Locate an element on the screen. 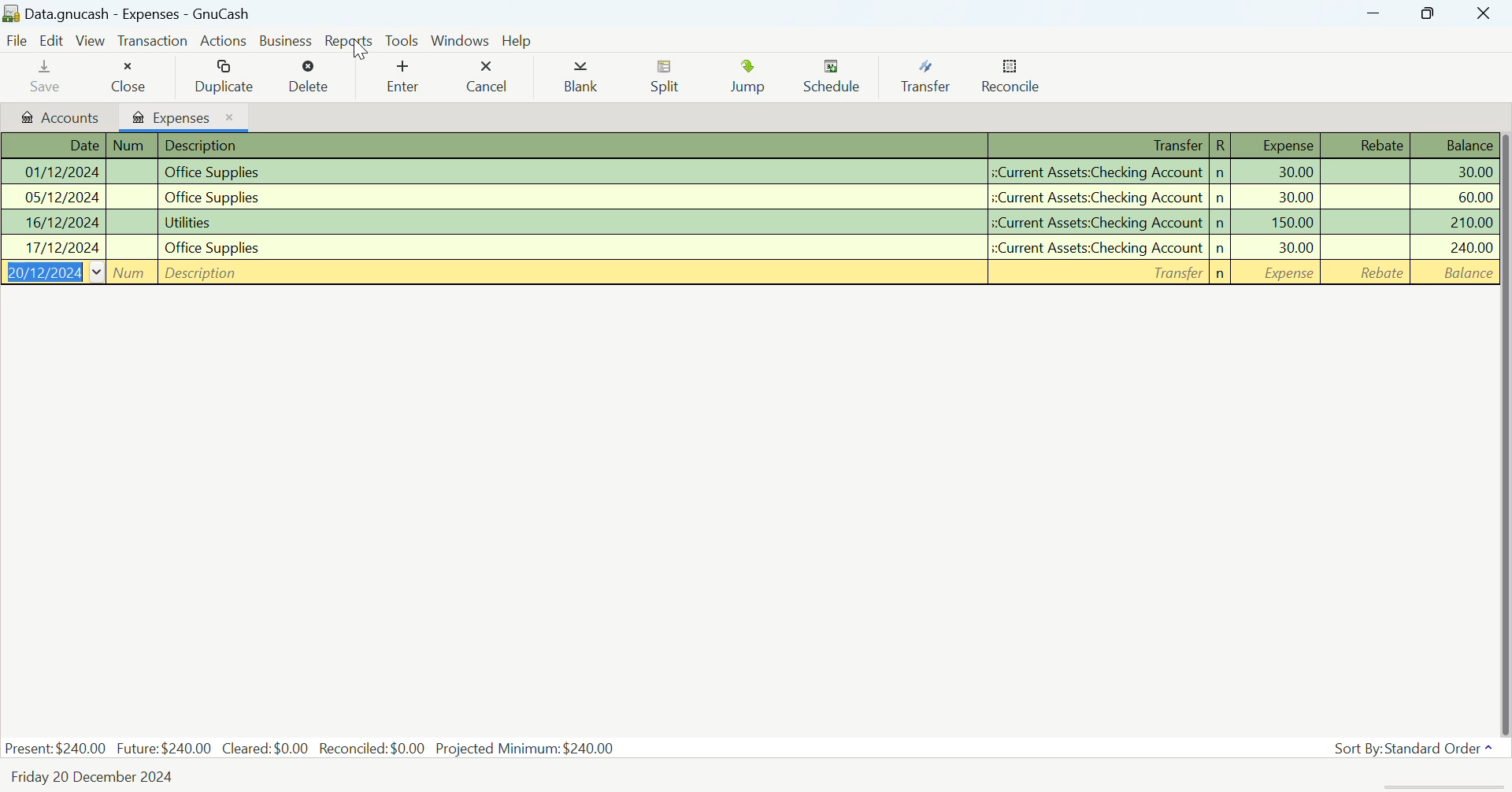 This screenshot has height=792, width=1512. View is located at coordinates (91, 40).